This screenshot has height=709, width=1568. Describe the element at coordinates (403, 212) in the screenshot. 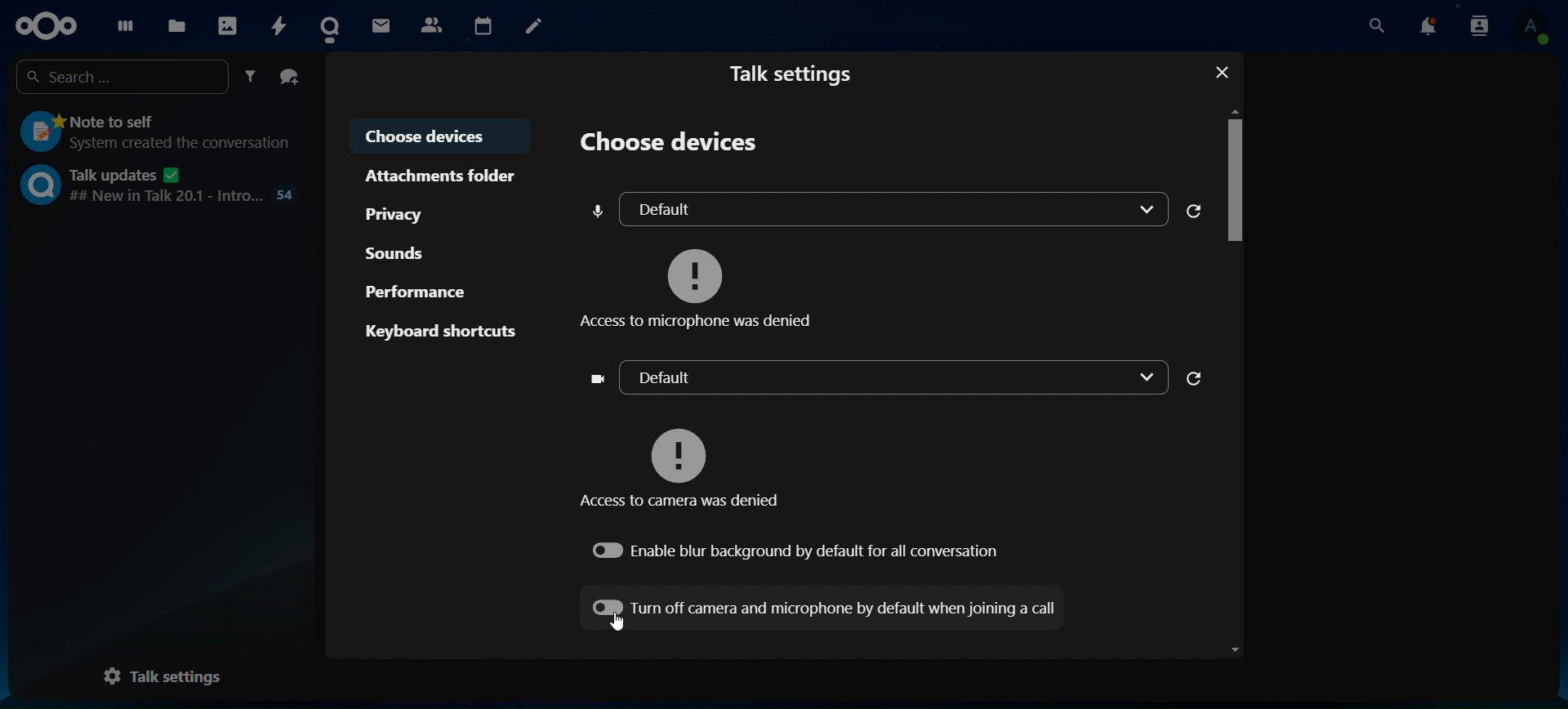

I see `privacy` at that location.